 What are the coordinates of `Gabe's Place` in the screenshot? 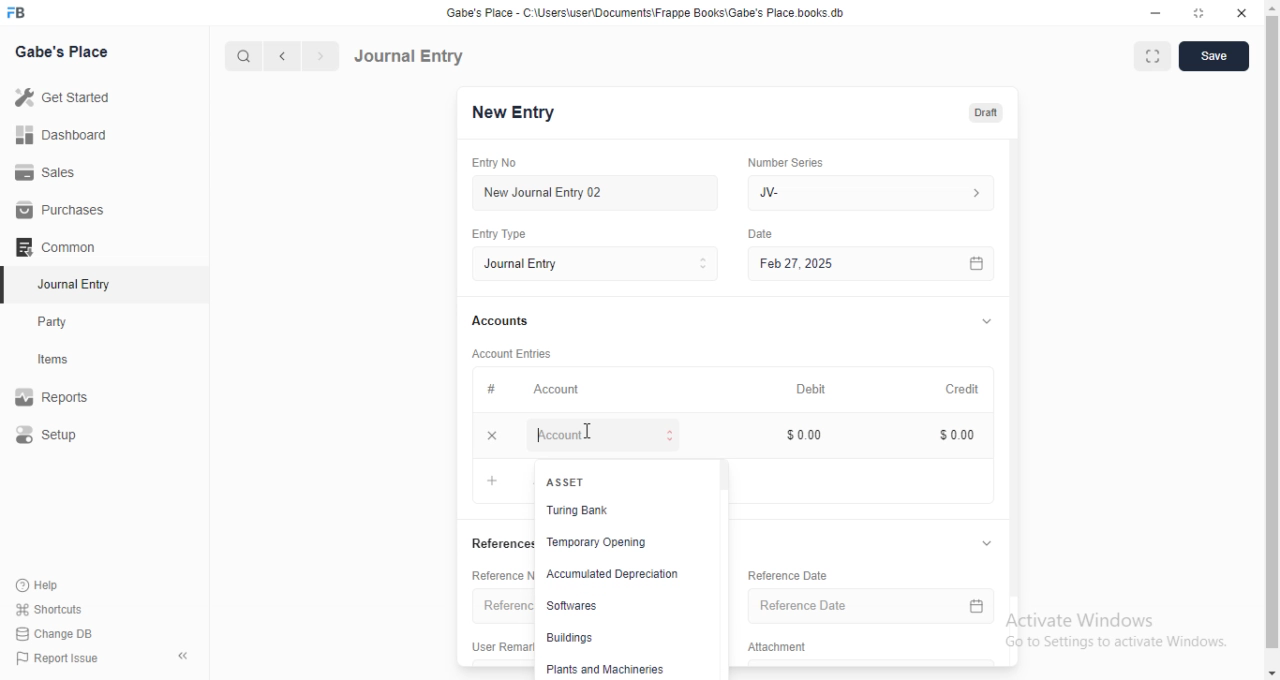 It's located at (63, 51).